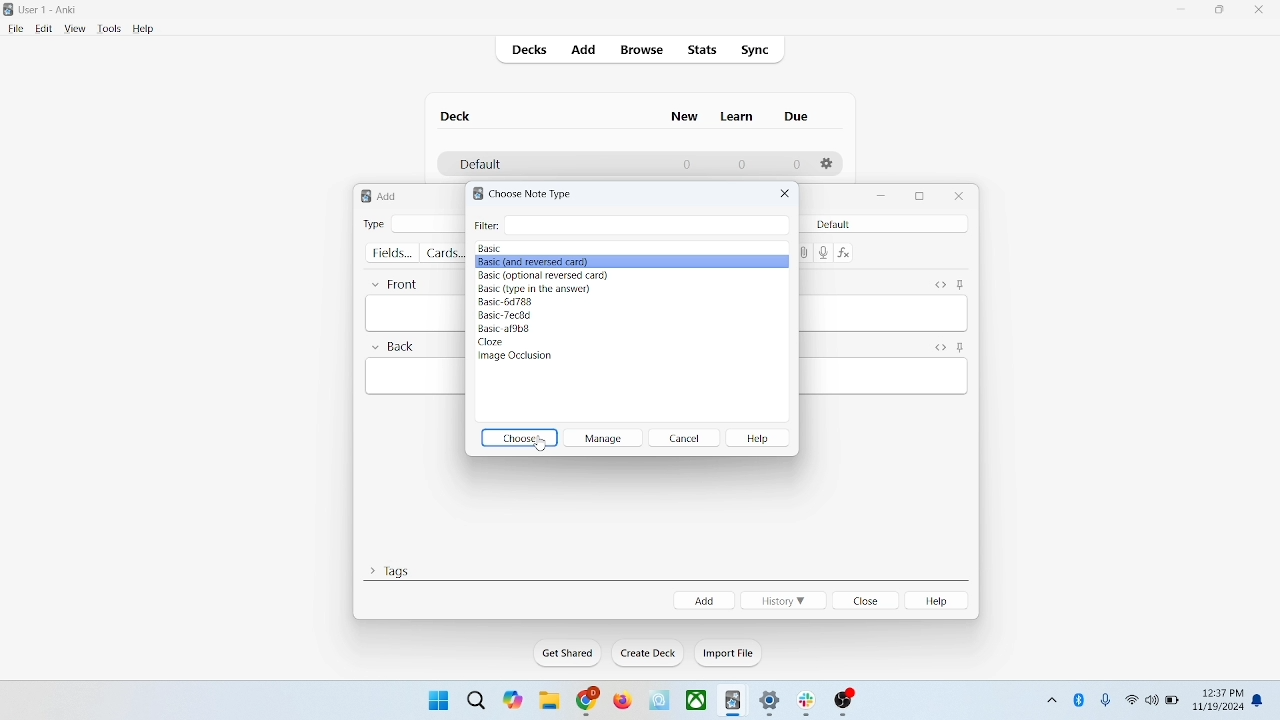 This screenshot has height=720, width=1280. I want to click on attachment, so click(804, 252).